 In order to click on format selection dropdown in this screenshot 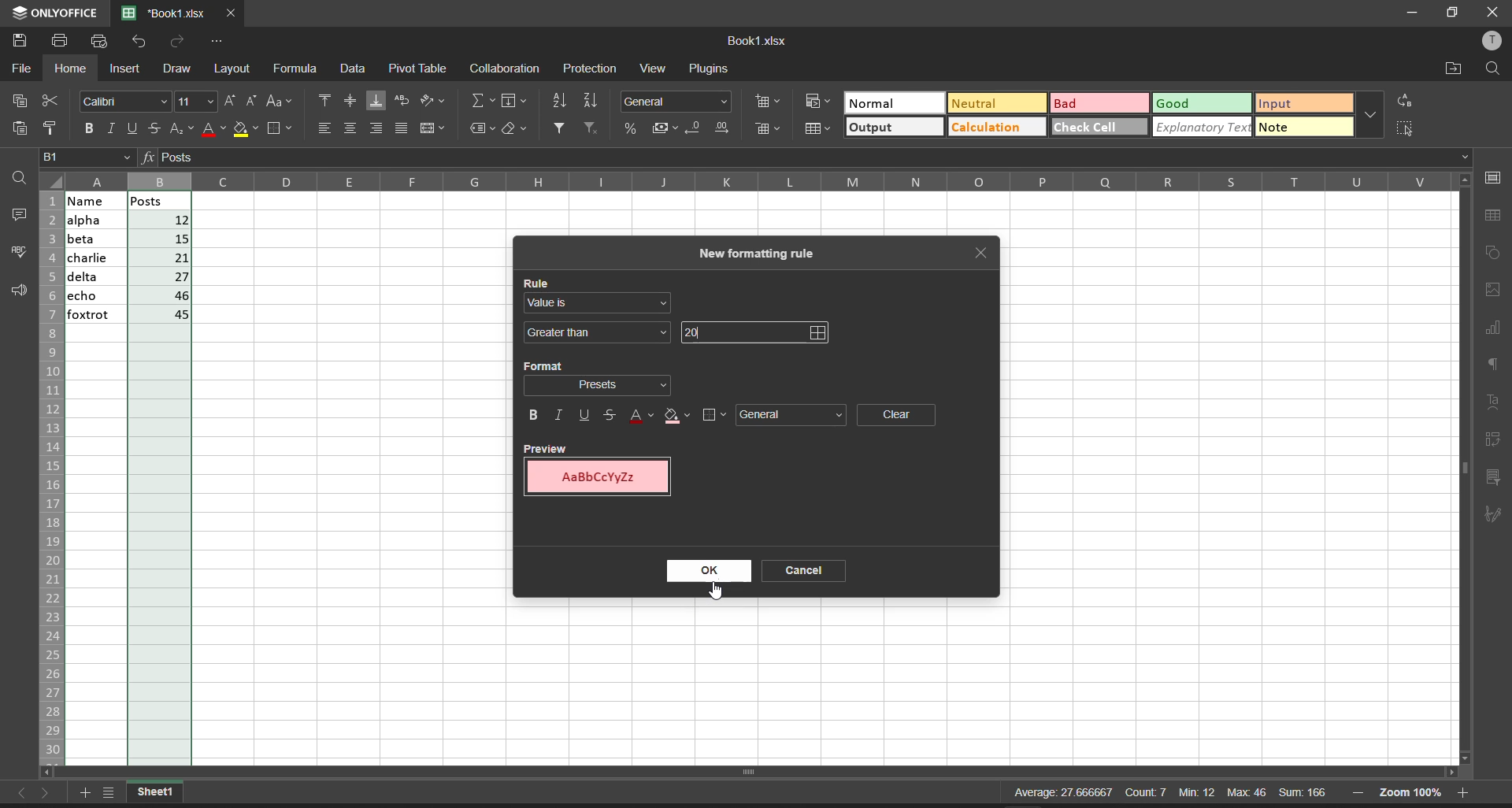, I will do `click(602, 386)`.